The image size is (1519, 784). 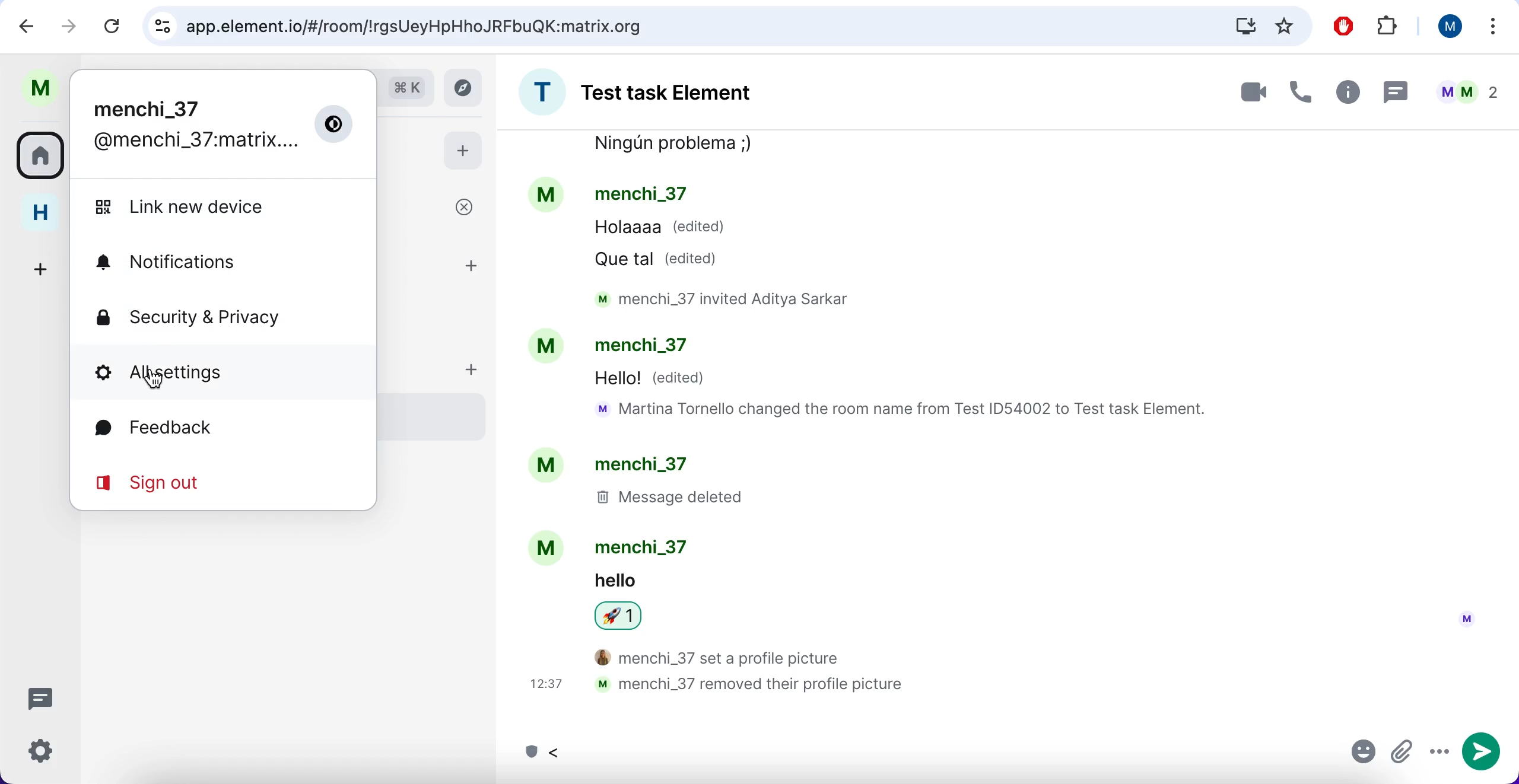 What do you see at coordinates (220, 207) in the screenshot?
I see `link new device` at bounding box center [220, 207].